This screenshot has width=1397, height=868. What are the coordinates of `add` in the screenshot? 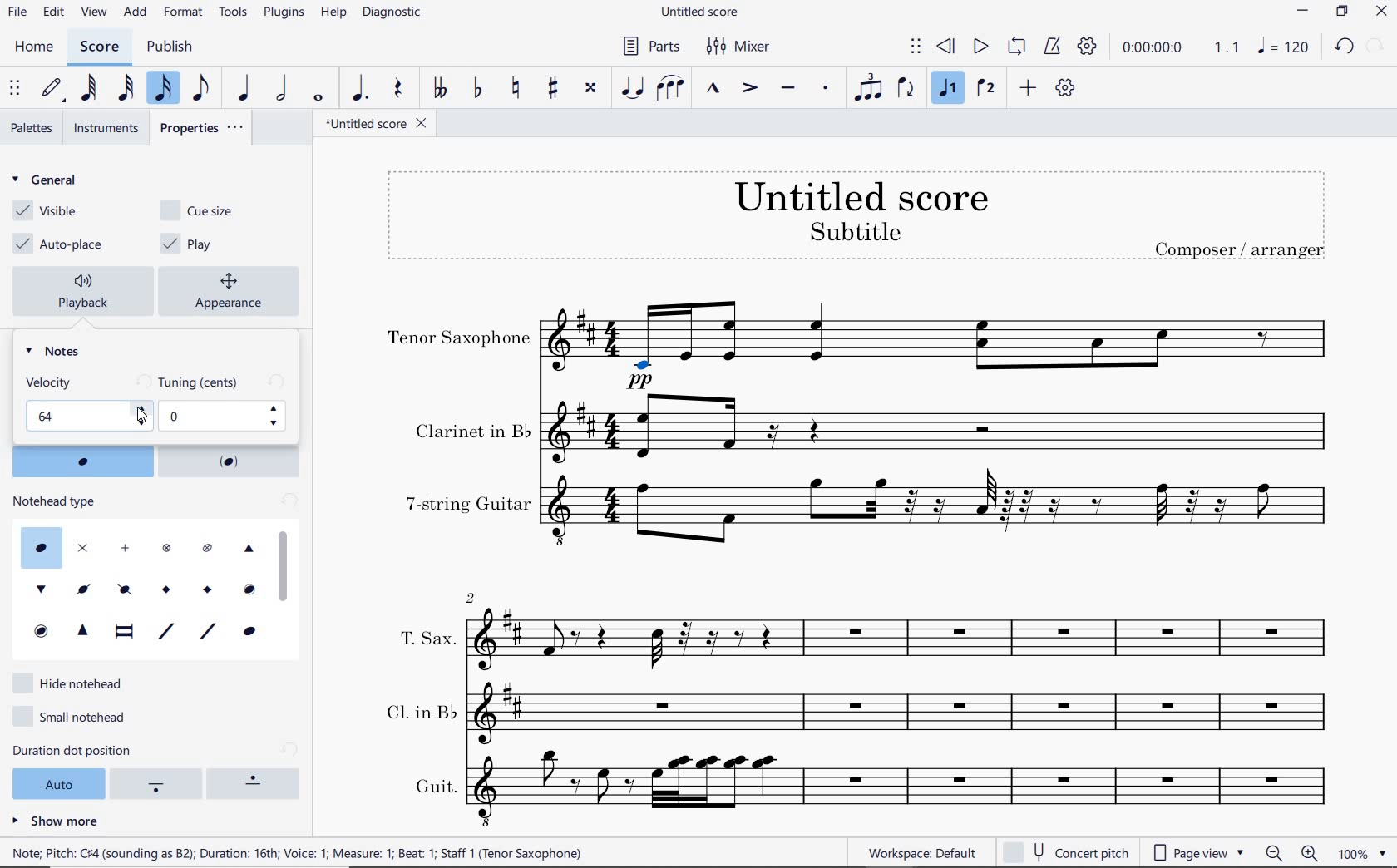 It's located at (136, 12).